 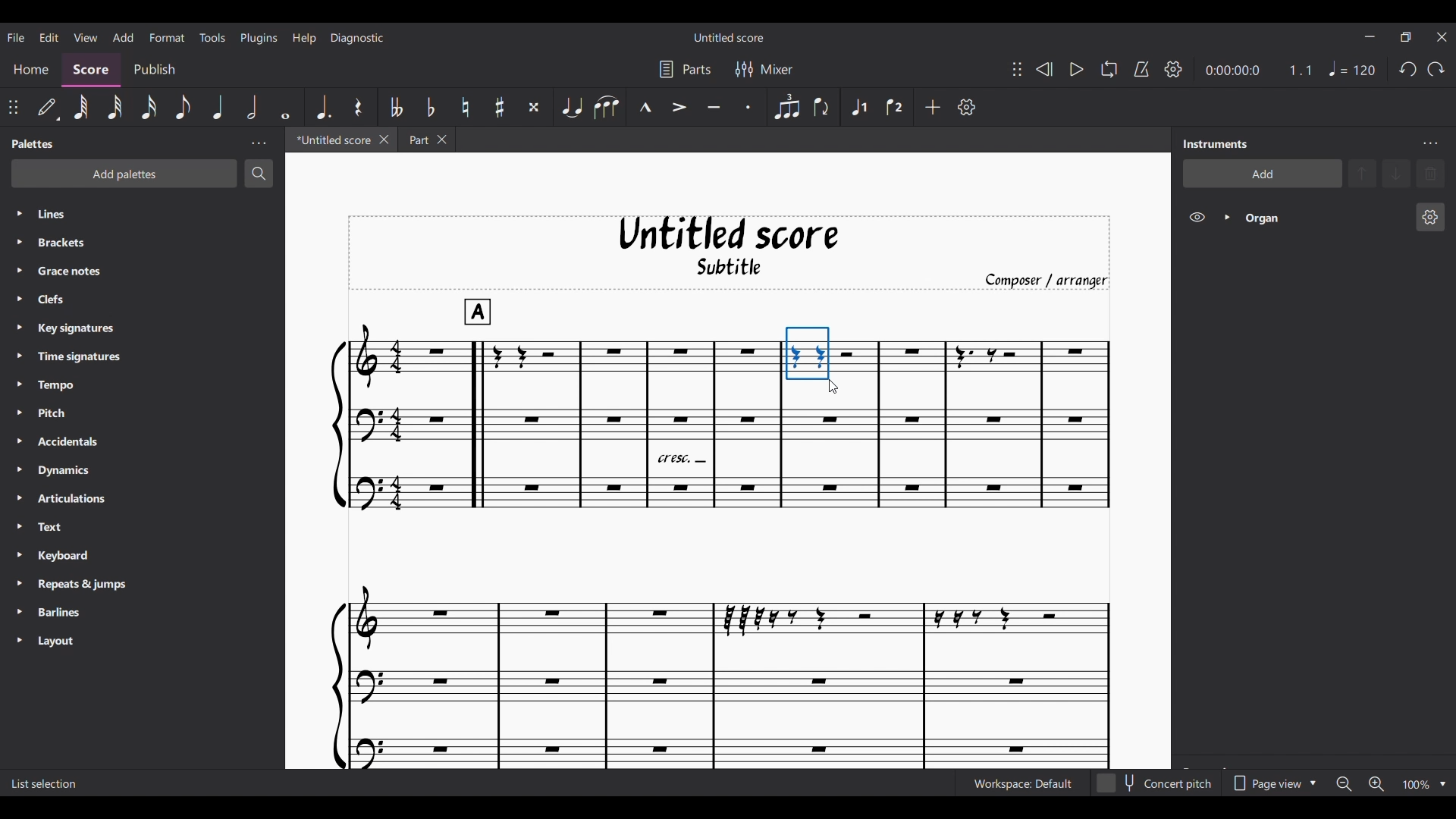 What do you see at coordinates (123, 36) in the screenshot?
I see `Add menu` at bounding box center [123, 36].